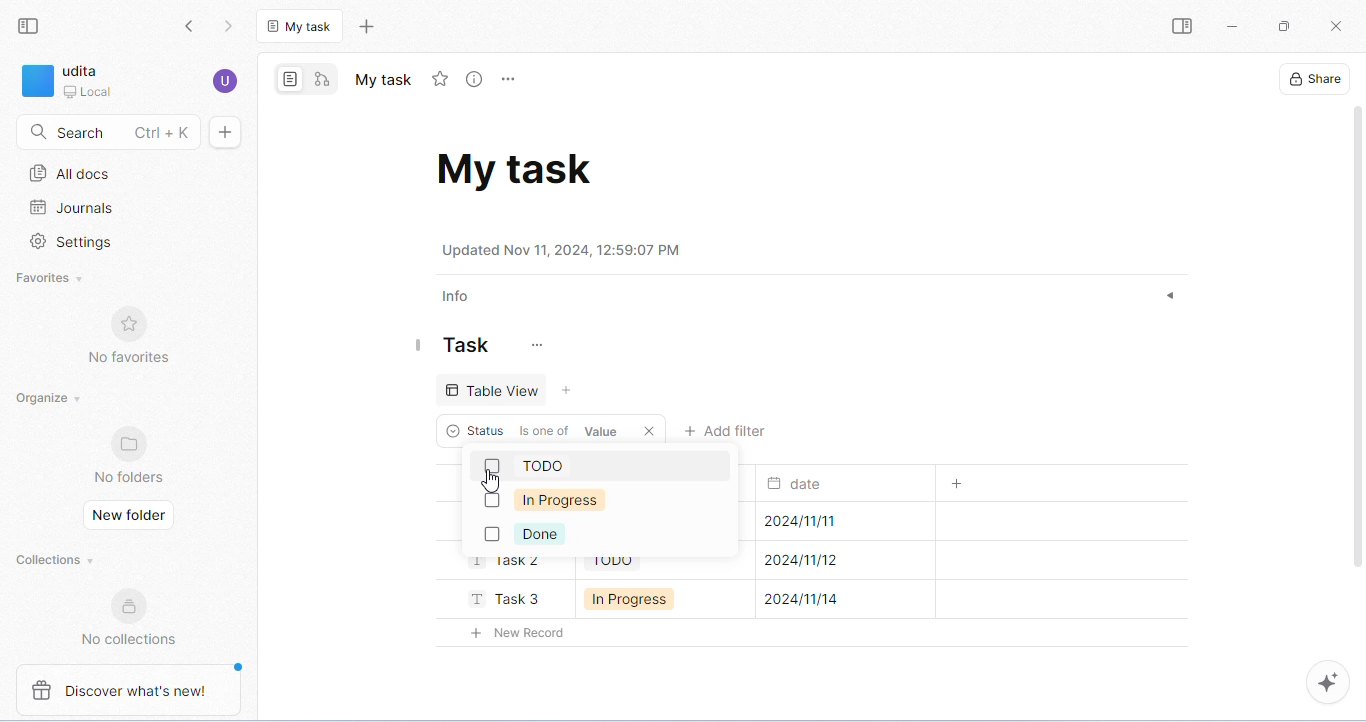 The height and width of the screenshot is (722, 1366). What do you see at coordinates (28, 27) in the screenshot?
I see `collapse side bar` at bounding box center [28, 27].